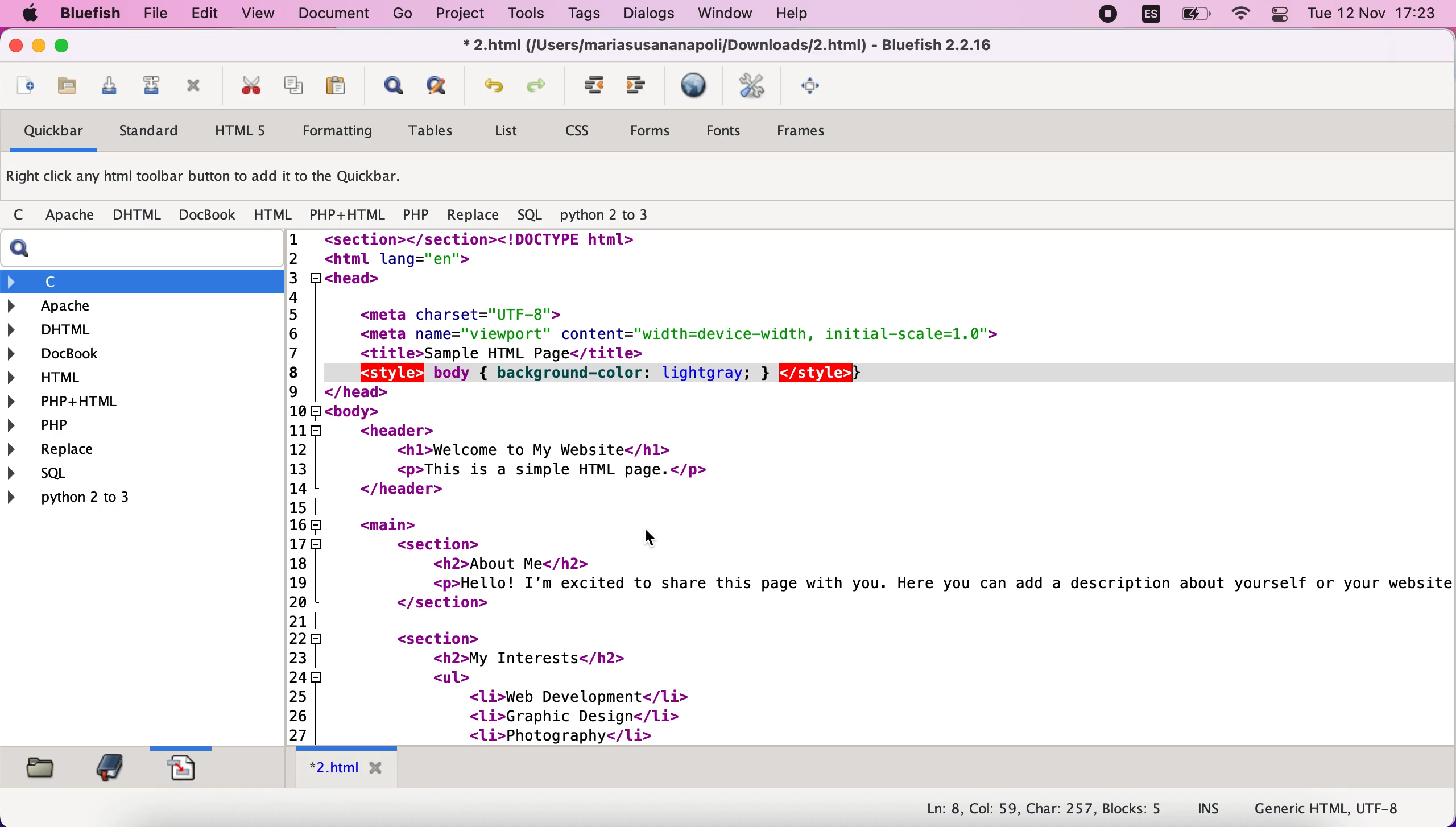 This screenshot has height=827, width=1456. What do you see at coordinates (134, 376) in the screenshot?
I see `html` at bounding box center [134, 376].